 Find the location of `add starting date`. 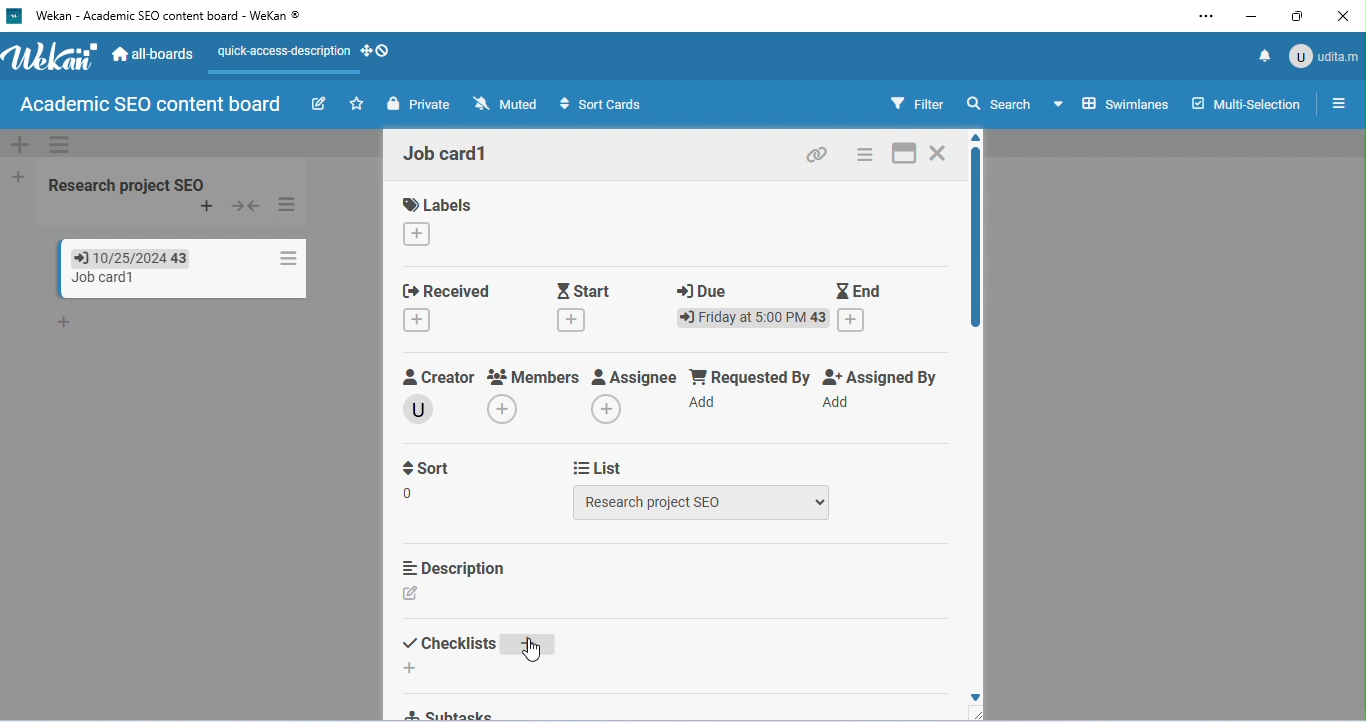

add starting date is located at coordinates (573, 322).